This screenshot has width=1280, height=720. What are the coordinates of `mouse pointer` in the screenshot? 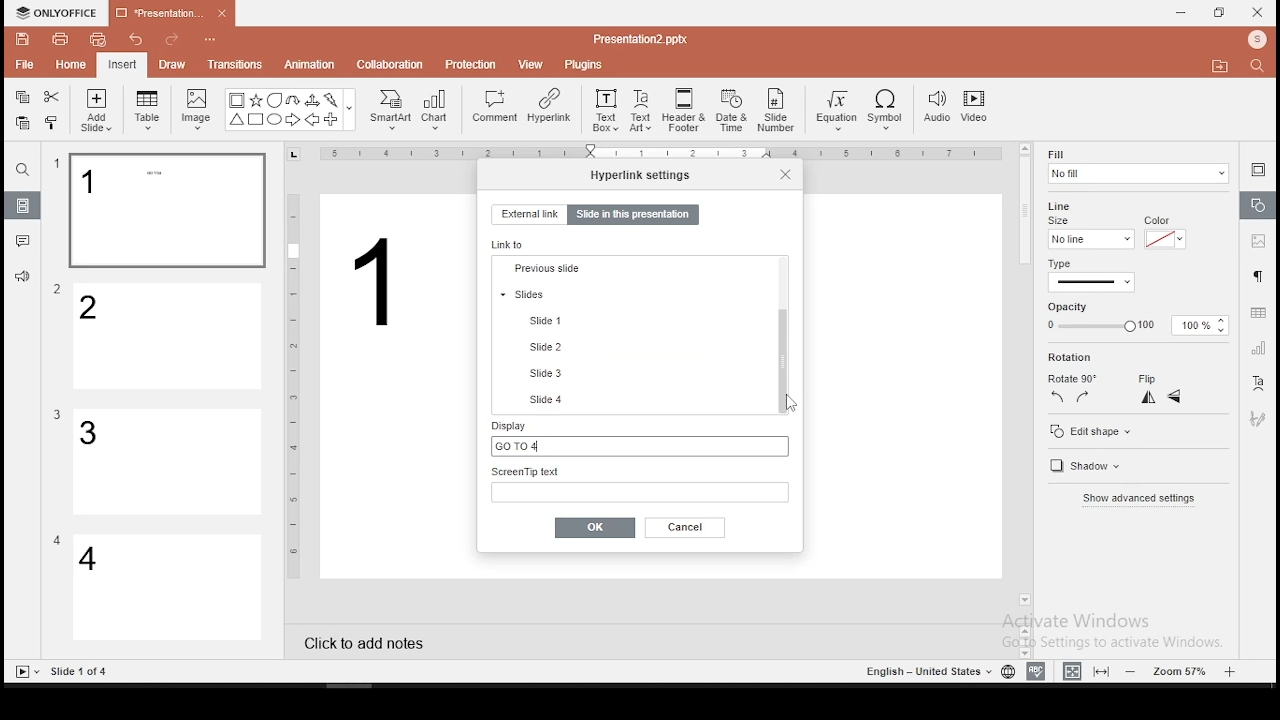 It's located at (787, 402).